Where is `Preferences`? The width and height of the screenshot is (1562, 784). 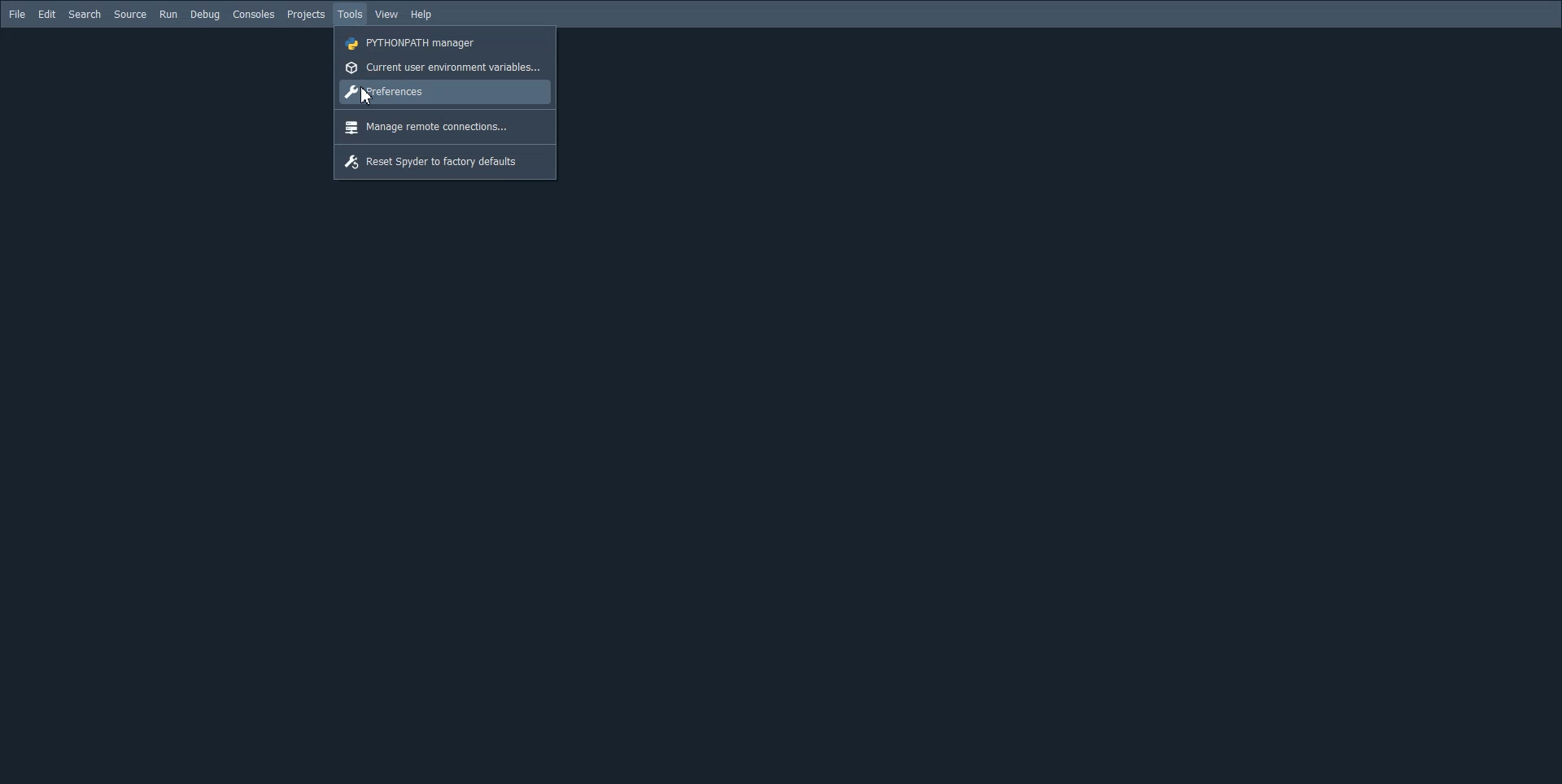 Preferences is located at coordinates (443, 94).